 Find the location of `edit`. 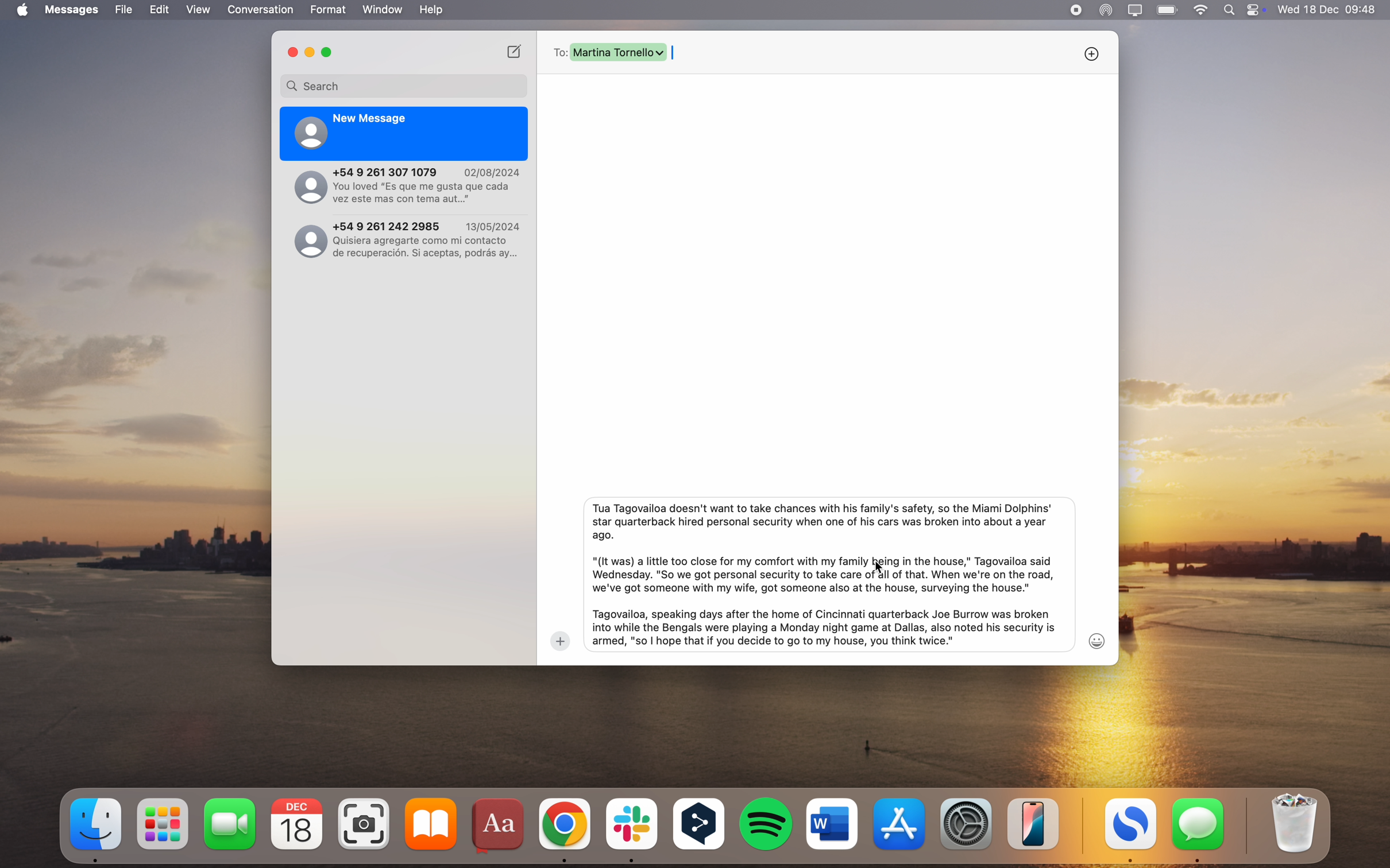

edit is located at coordinates (159, 10).